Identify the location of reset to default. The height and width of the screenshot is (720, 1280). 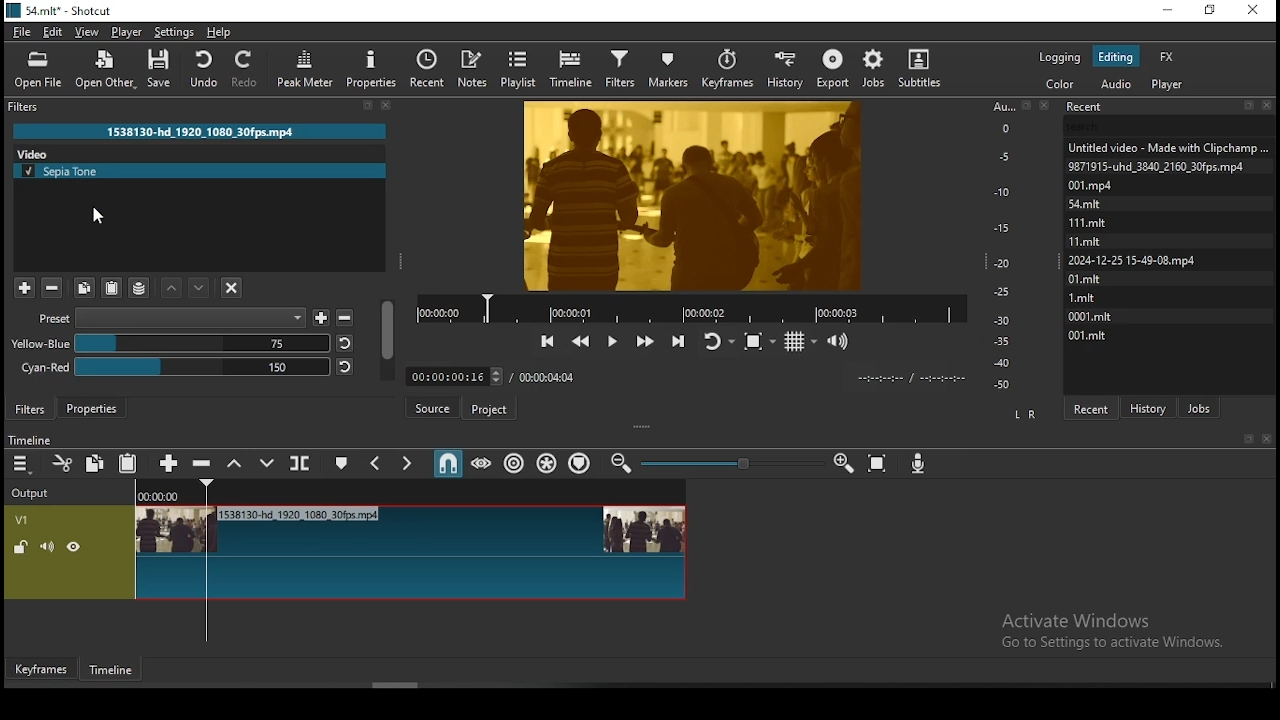
(347, 343).